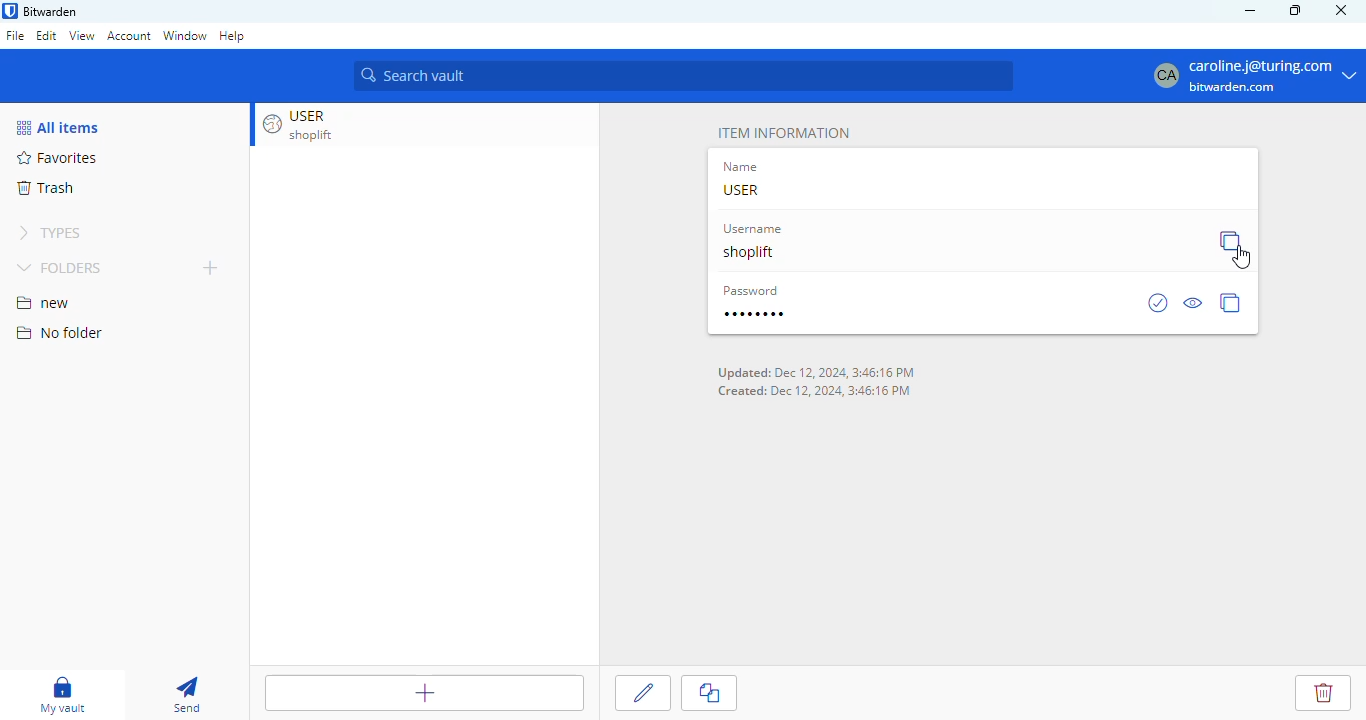  I want to click on bitwarden, so click(50, 11).